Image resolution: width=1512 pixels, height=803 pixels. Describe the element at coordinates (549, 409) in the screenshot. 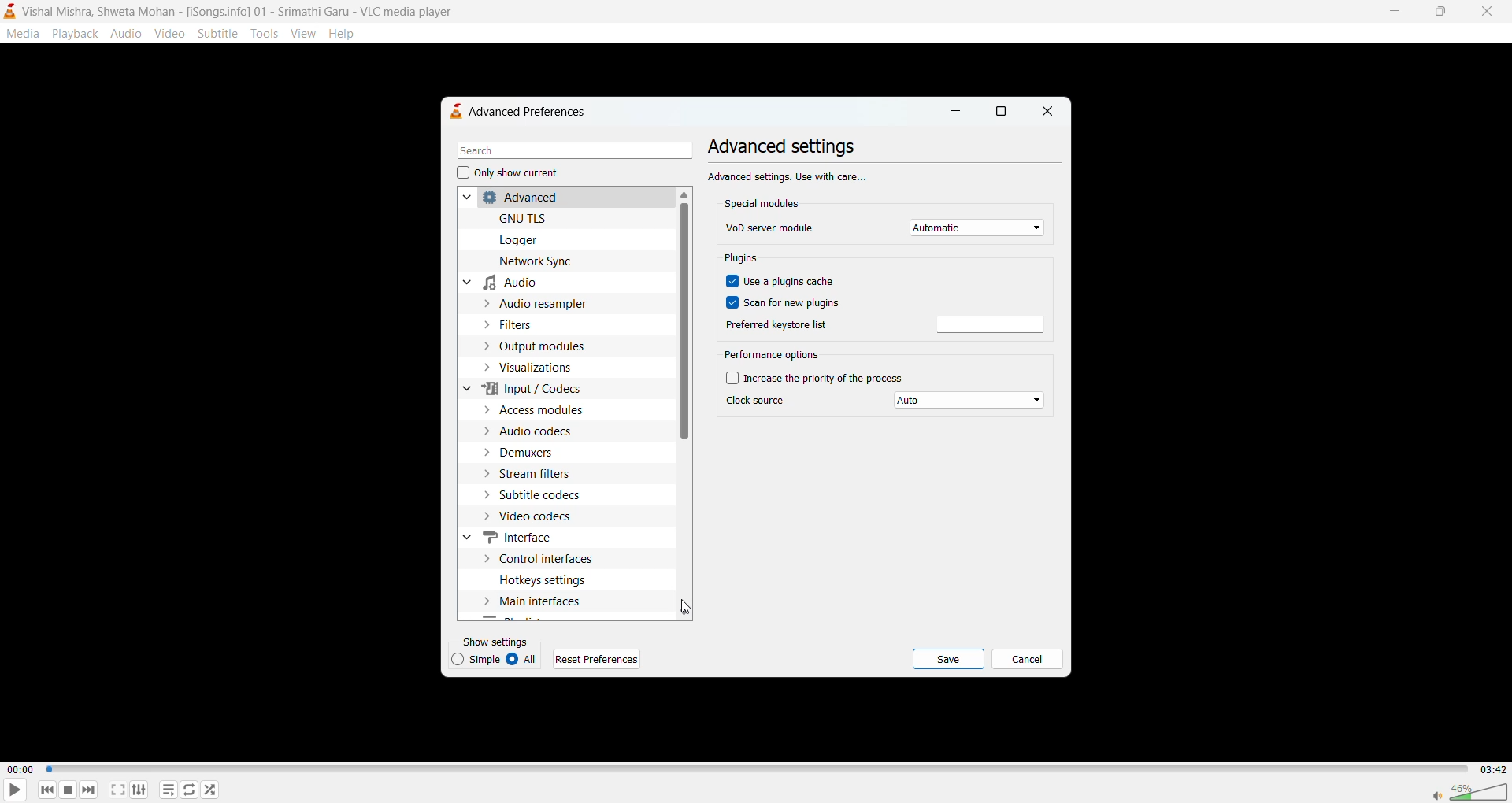

I see `access modules` at that location.